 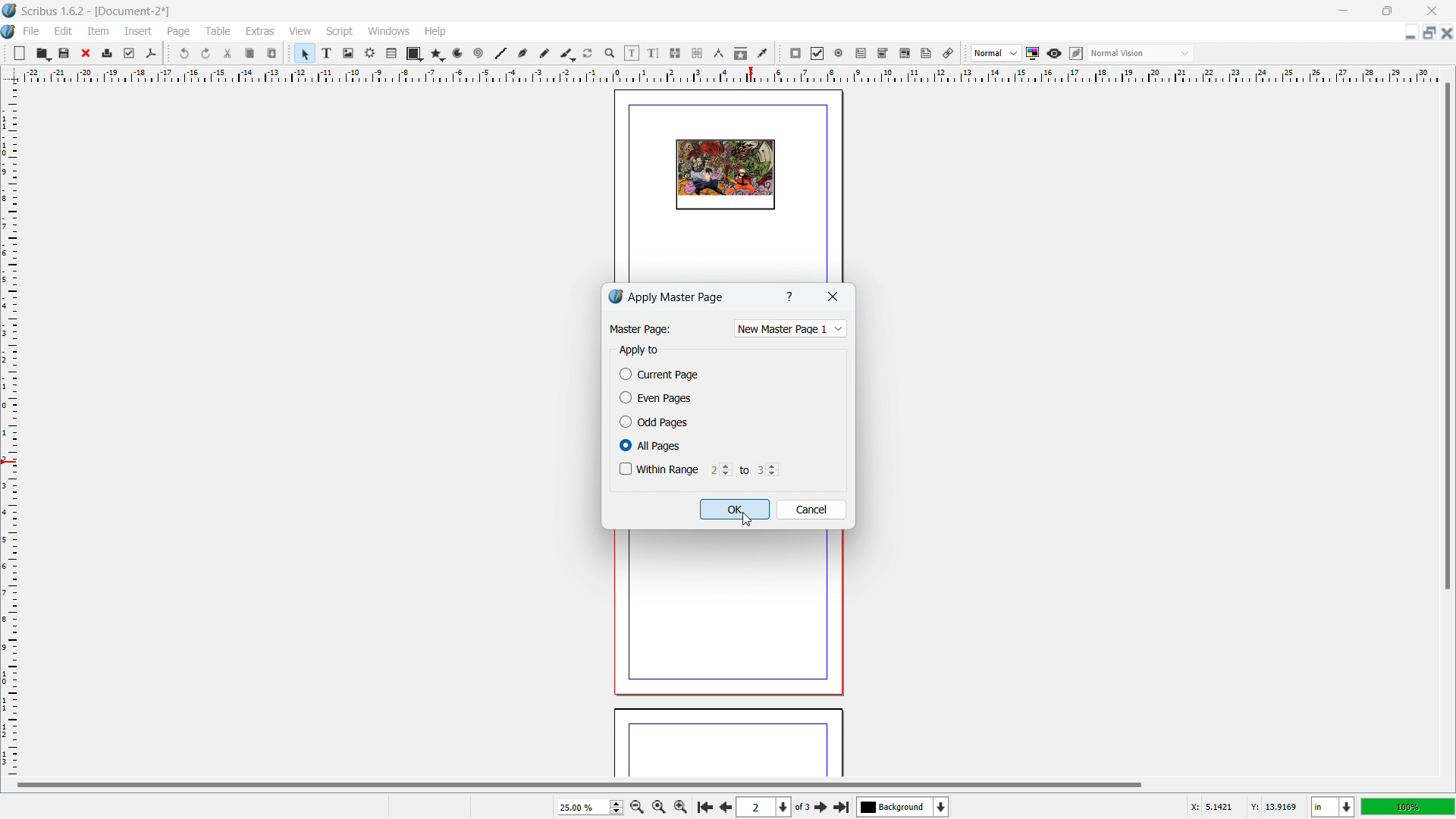 I want to click on cursor, so click(x=745, y=518).